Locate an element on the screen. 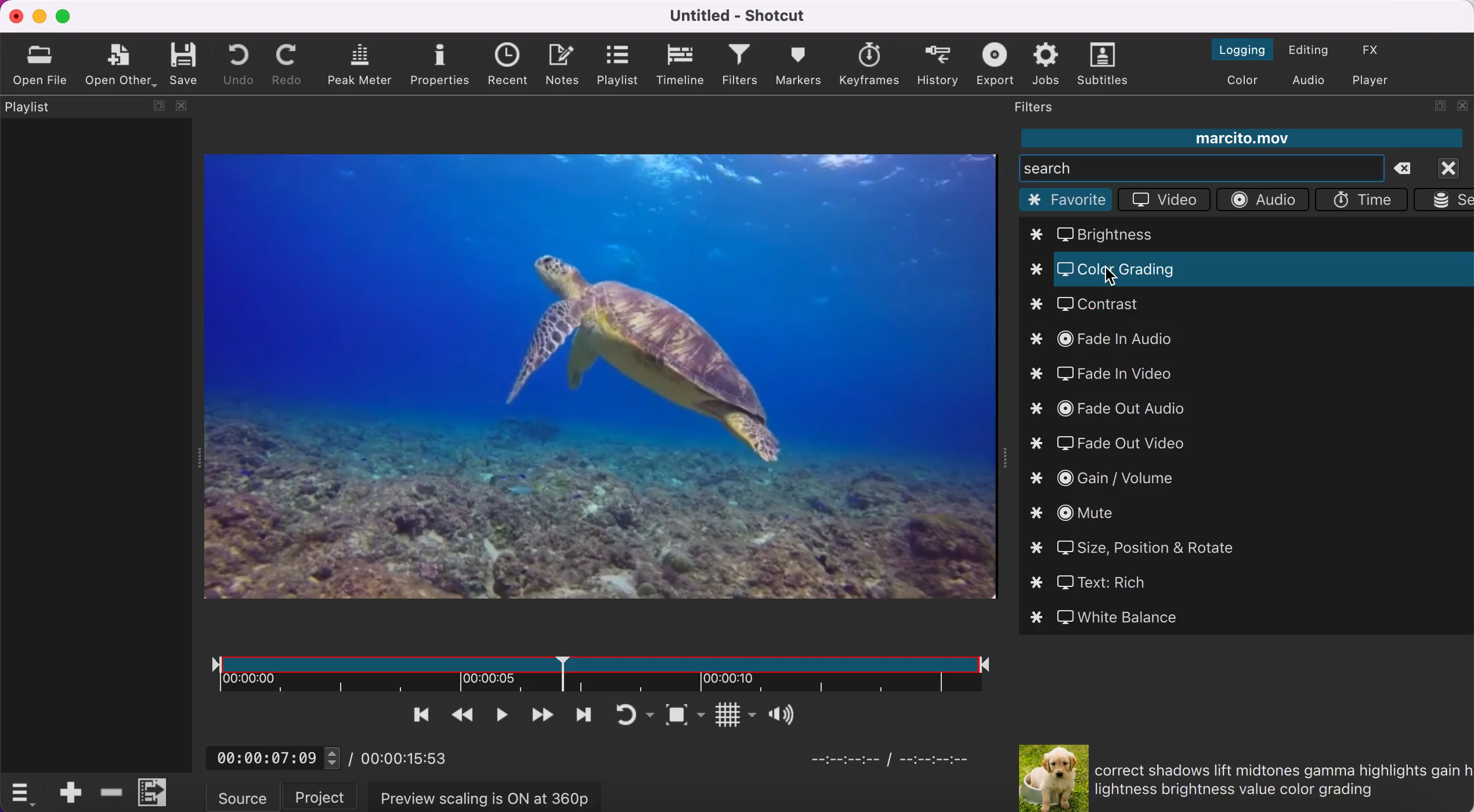  00:00:15:53 is located at coordinates (410, 756).